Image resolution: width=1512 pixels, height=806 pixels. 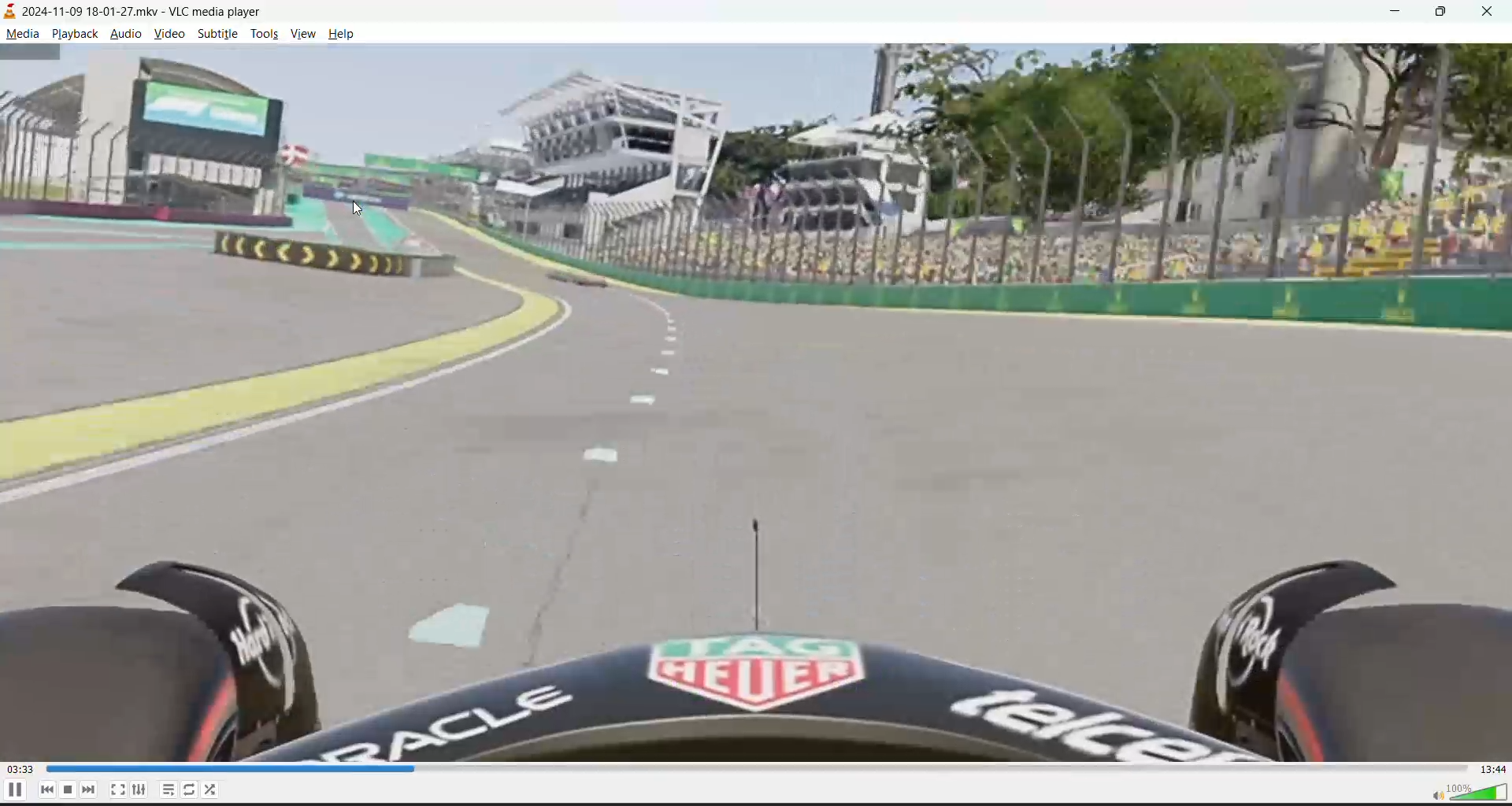 What do you see at coordinates (211, 790) in the screenshot?
I see `shuffle` at bounding box center [211, 790].